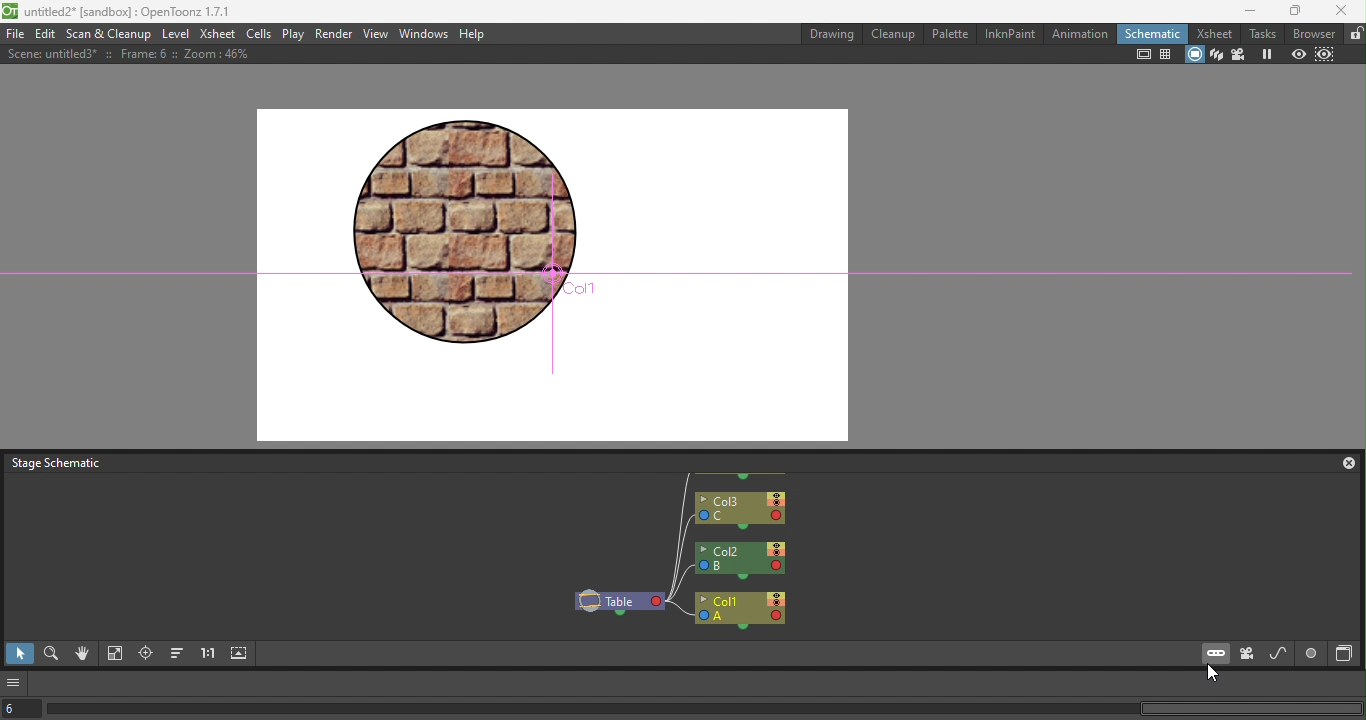  Describe the element at coordinates (1216, 653) in the screenshot. I see `New pegbar` at that location.